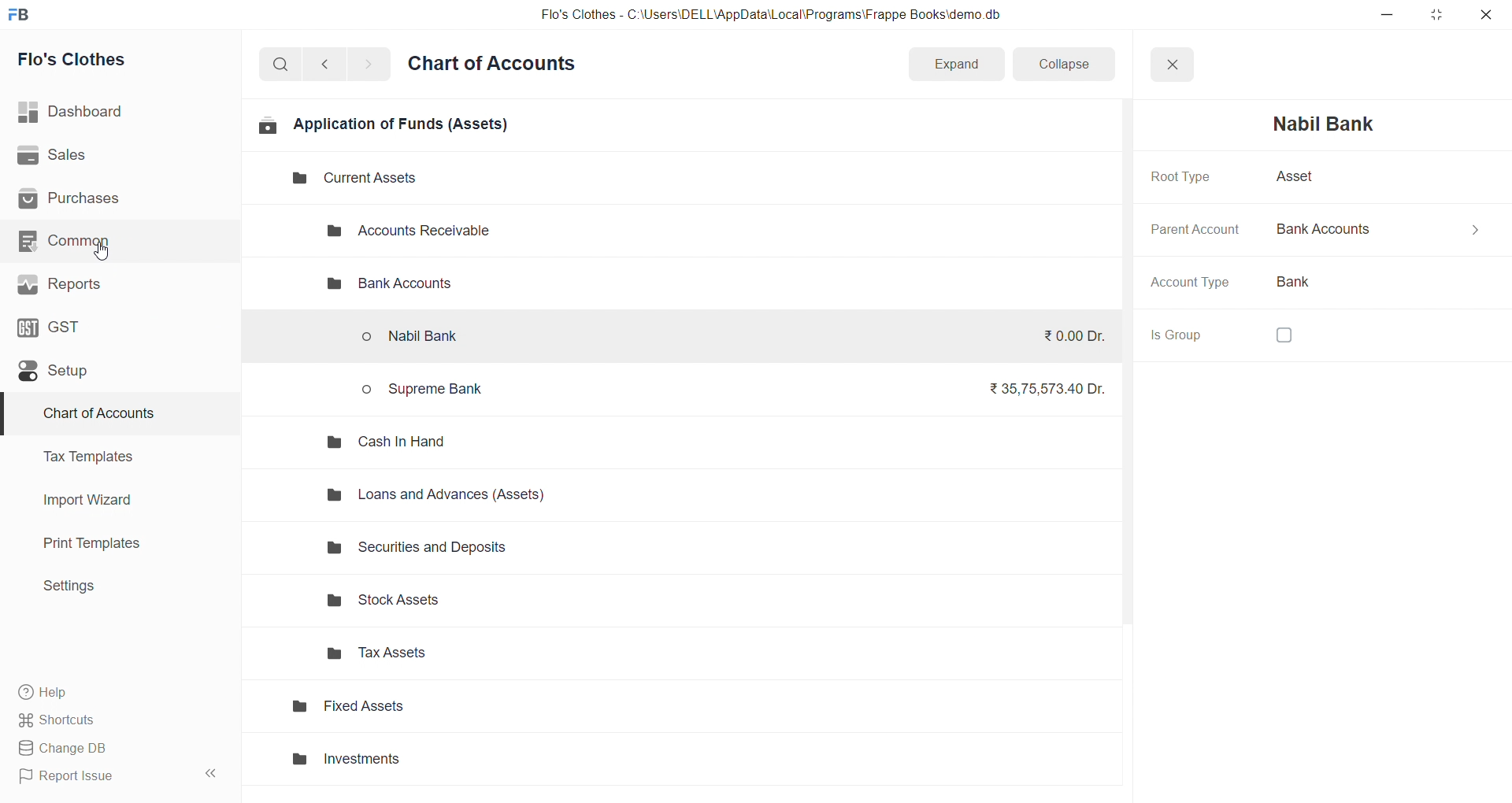 This screenshot has height=803, width=1512. I want to click on Securities and Deposits, so click(454, 553).